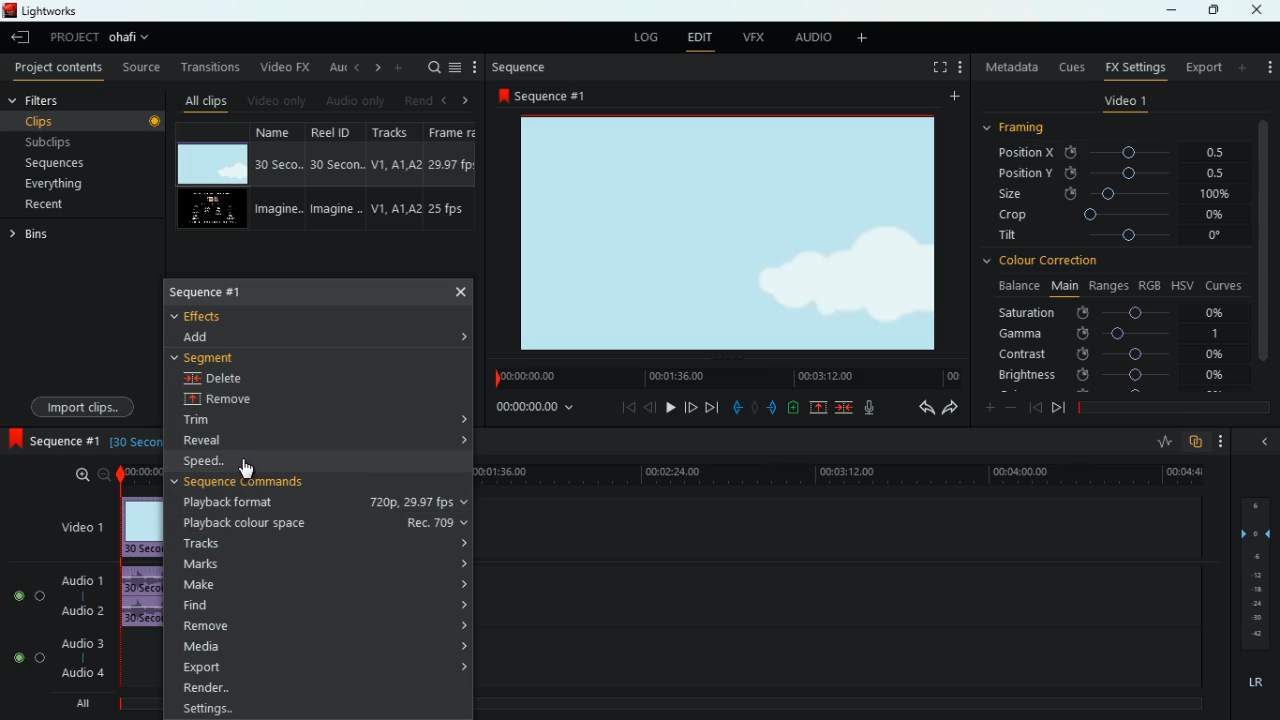  What do you see at coordinates (1011, 407) in the screenshot?
I see `minus` at bounding box center [1011, 407].